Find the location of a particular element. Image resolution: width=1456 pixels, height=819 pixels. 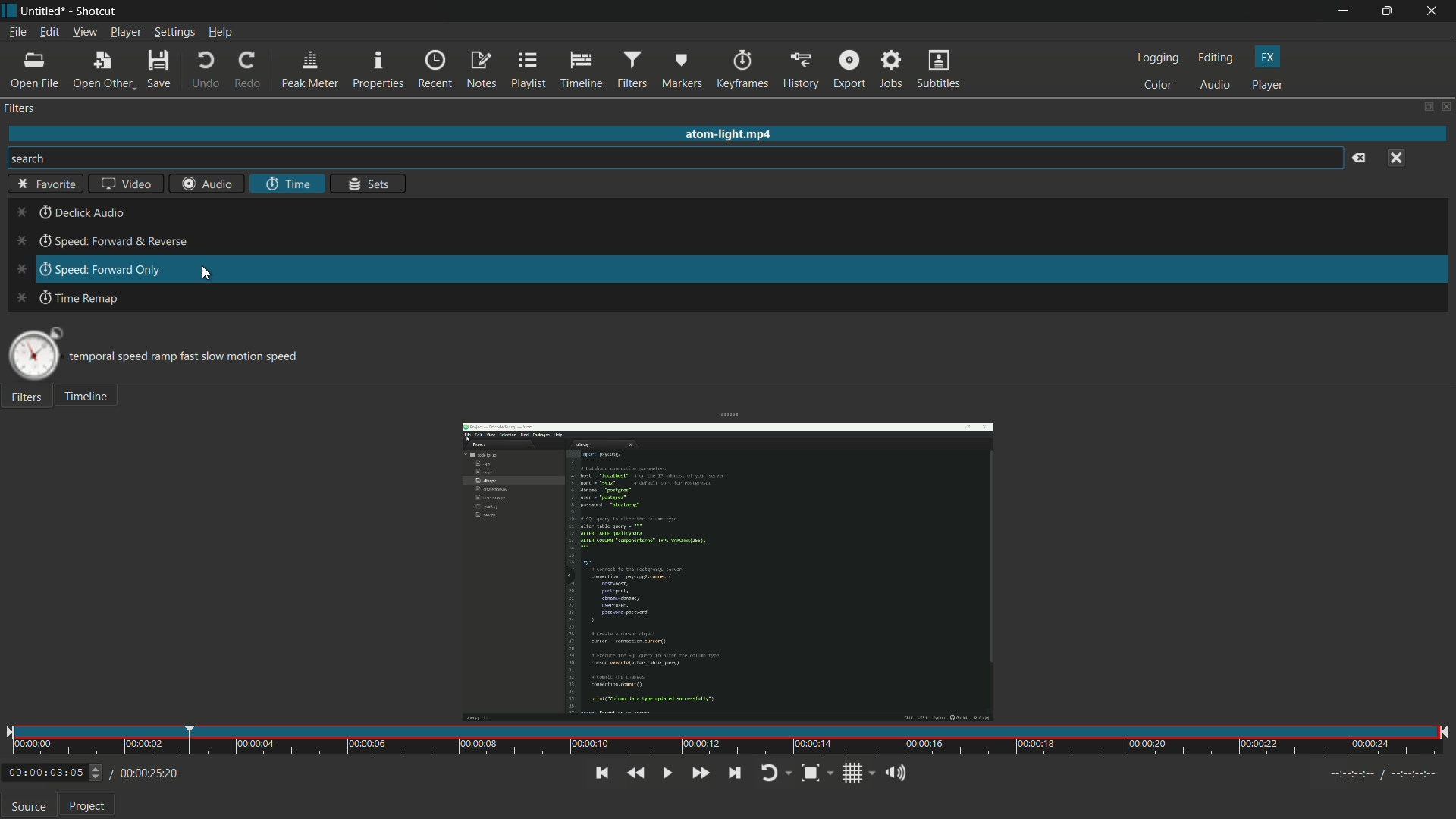

temporal speed ramp fast slow motion speed is located at coordinates (195, 354).